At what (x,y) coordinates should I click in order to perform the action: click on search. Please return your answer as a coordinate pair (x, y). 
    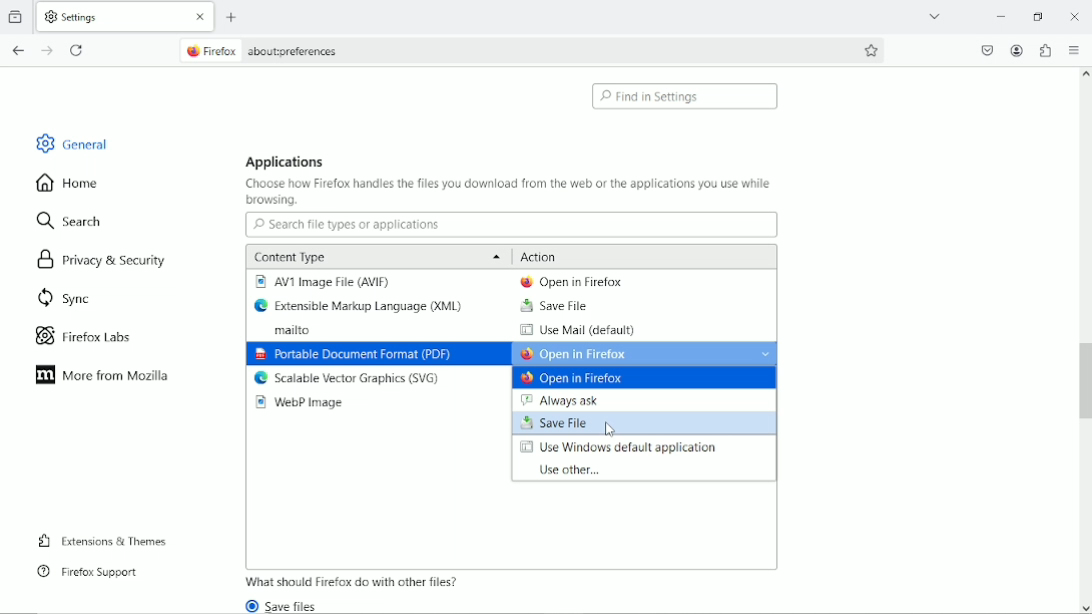
    Looking at the image, I should click on (72, 219).